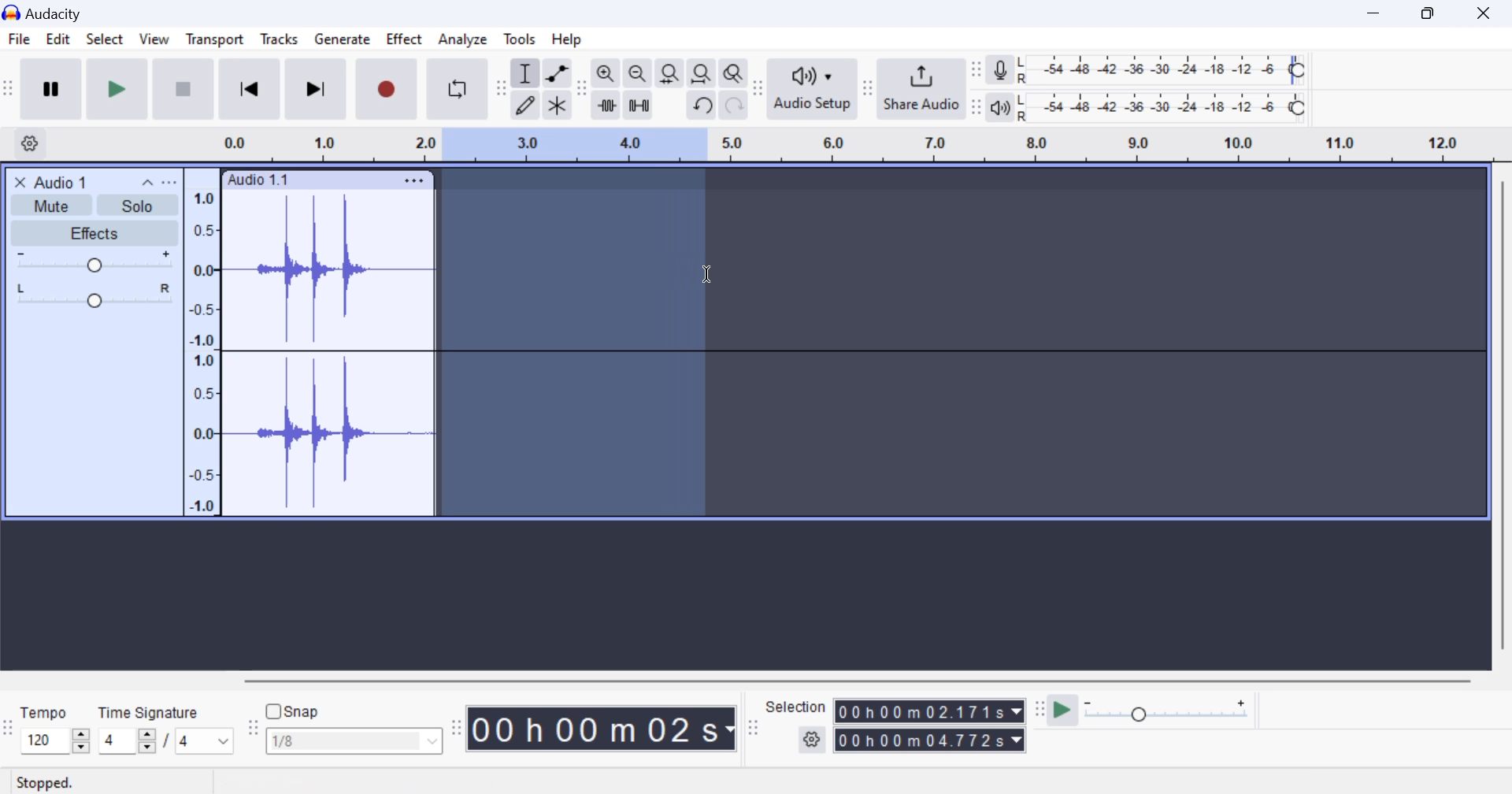 The image size is (1512, 794). What do you see at coordinates (1001, 107) in the screenshot?
I see `playback meter` at bounding box center [1001, 107].